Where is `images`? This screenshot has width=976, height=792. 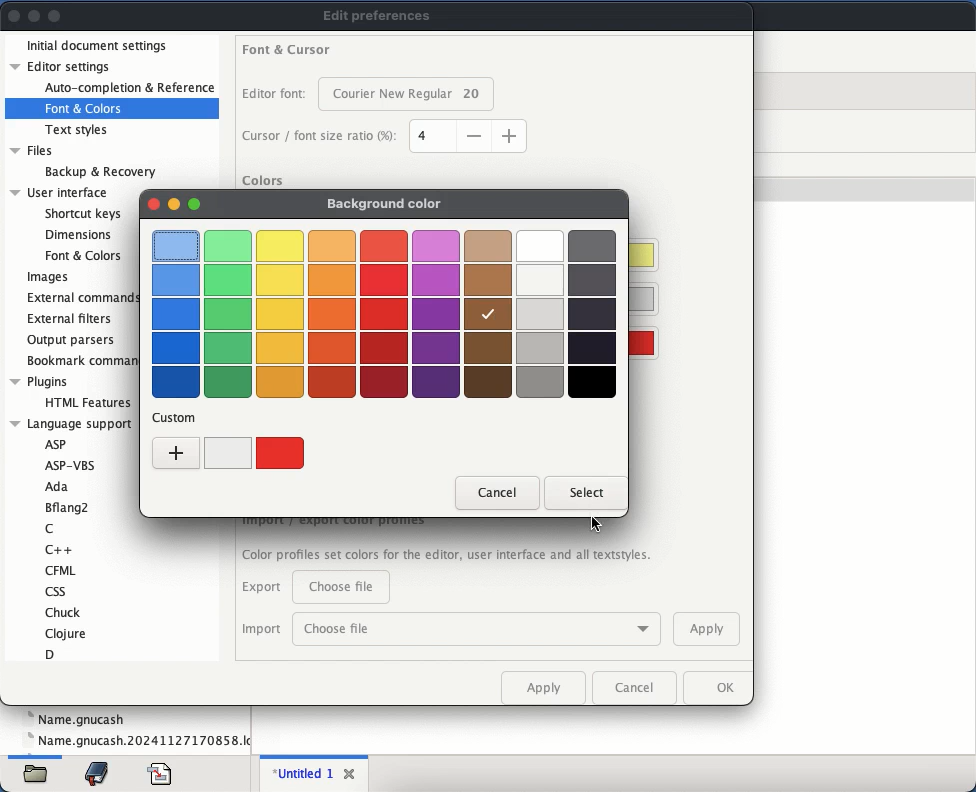 images is located at coordinates (48, 278).